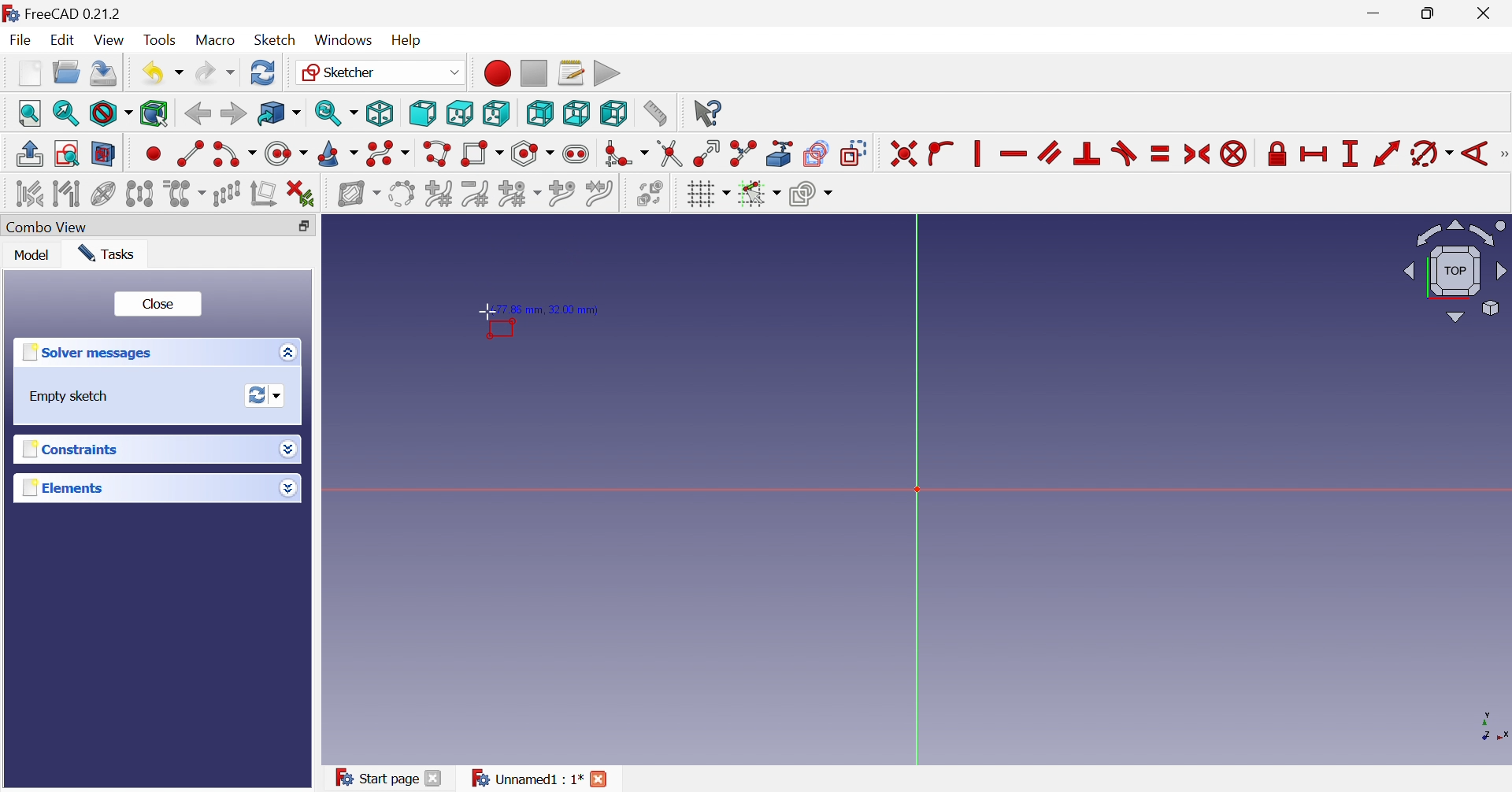  Describe the element at coordinates (110, 114) in the screenshot. I see `Draw style` at that location.